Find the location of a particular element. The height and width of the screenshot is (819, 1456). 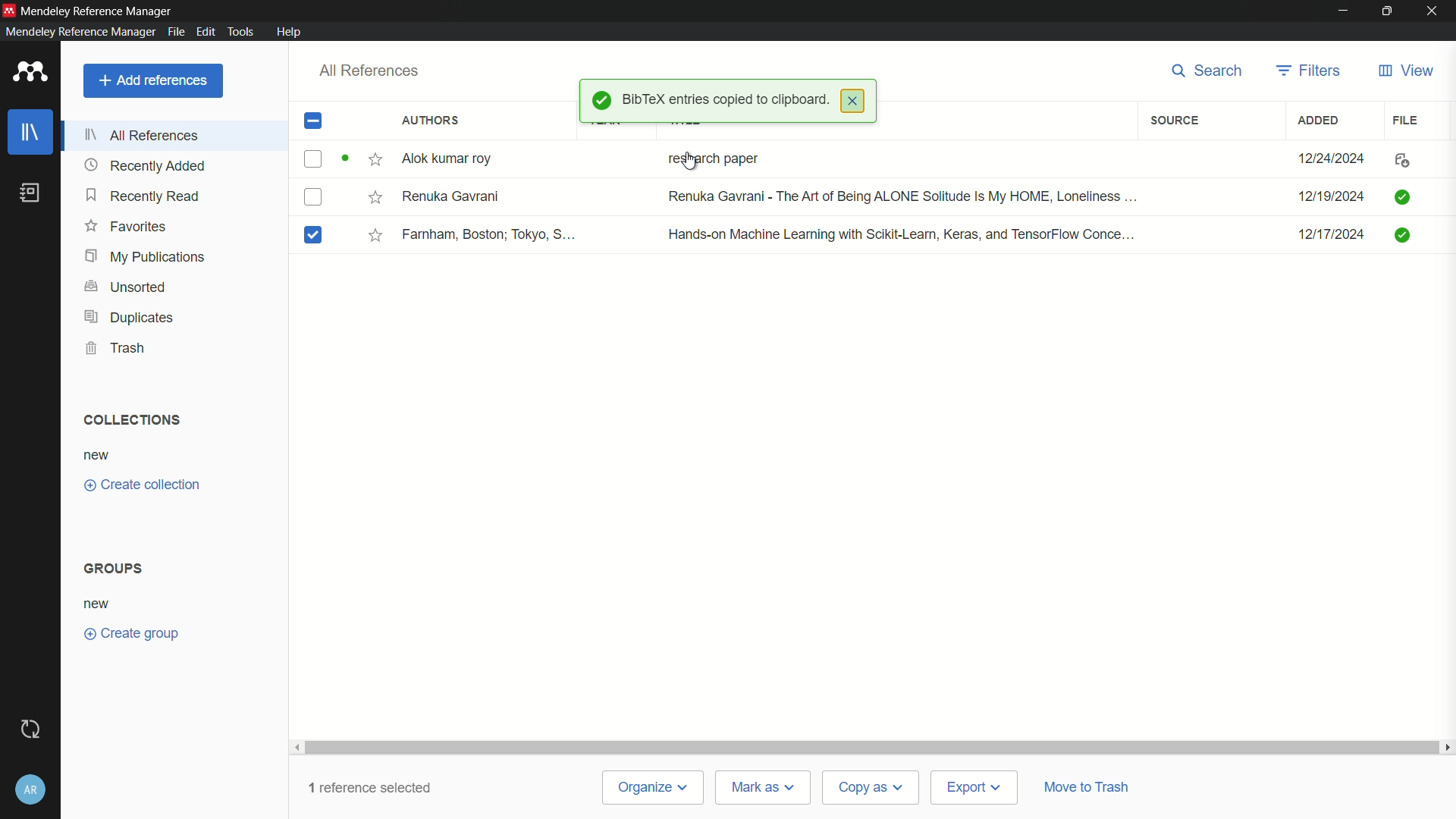

favorites is located at coordinates (124, 227).